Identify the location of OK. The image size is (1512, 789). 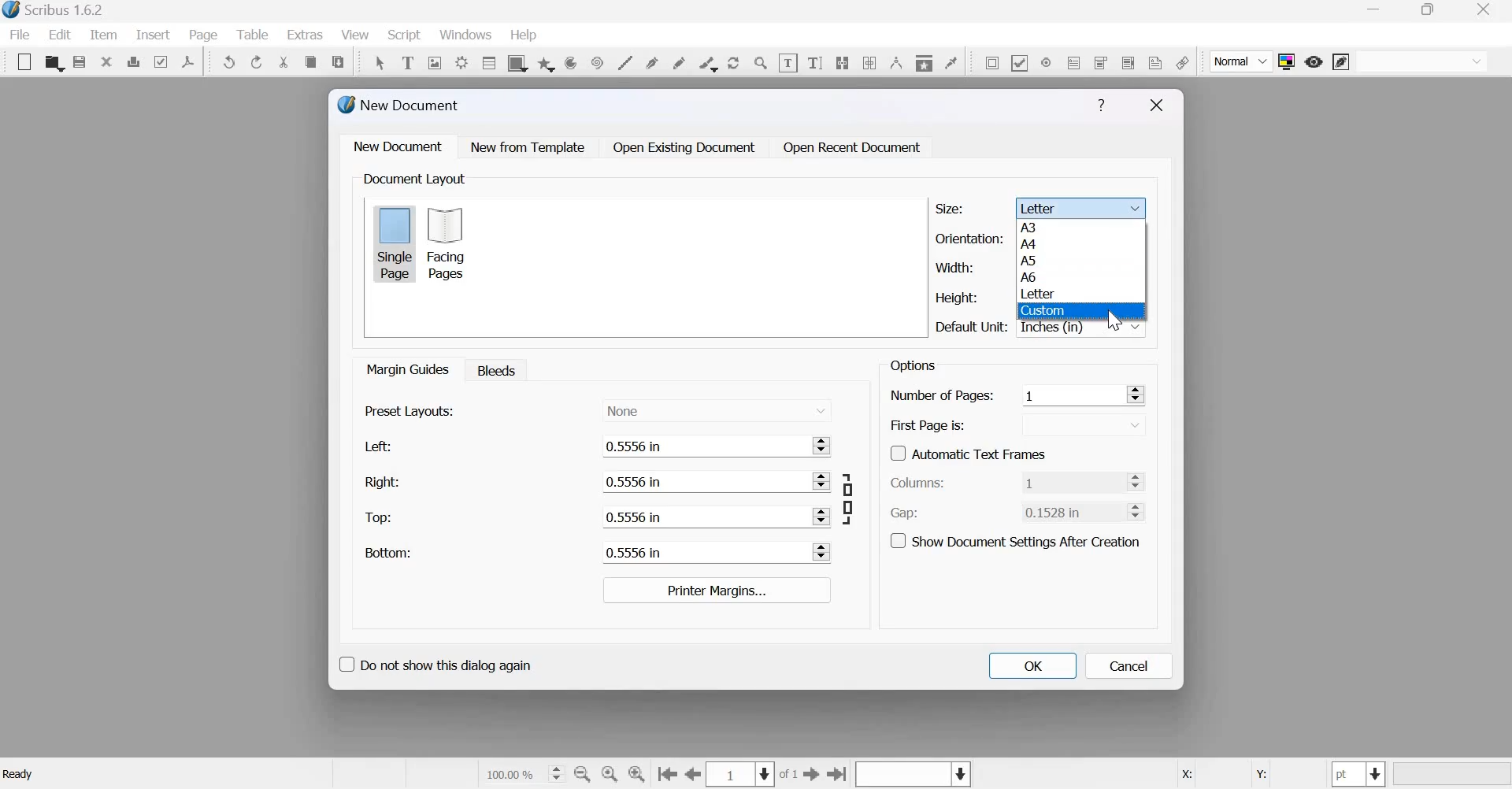
(1032, 665).